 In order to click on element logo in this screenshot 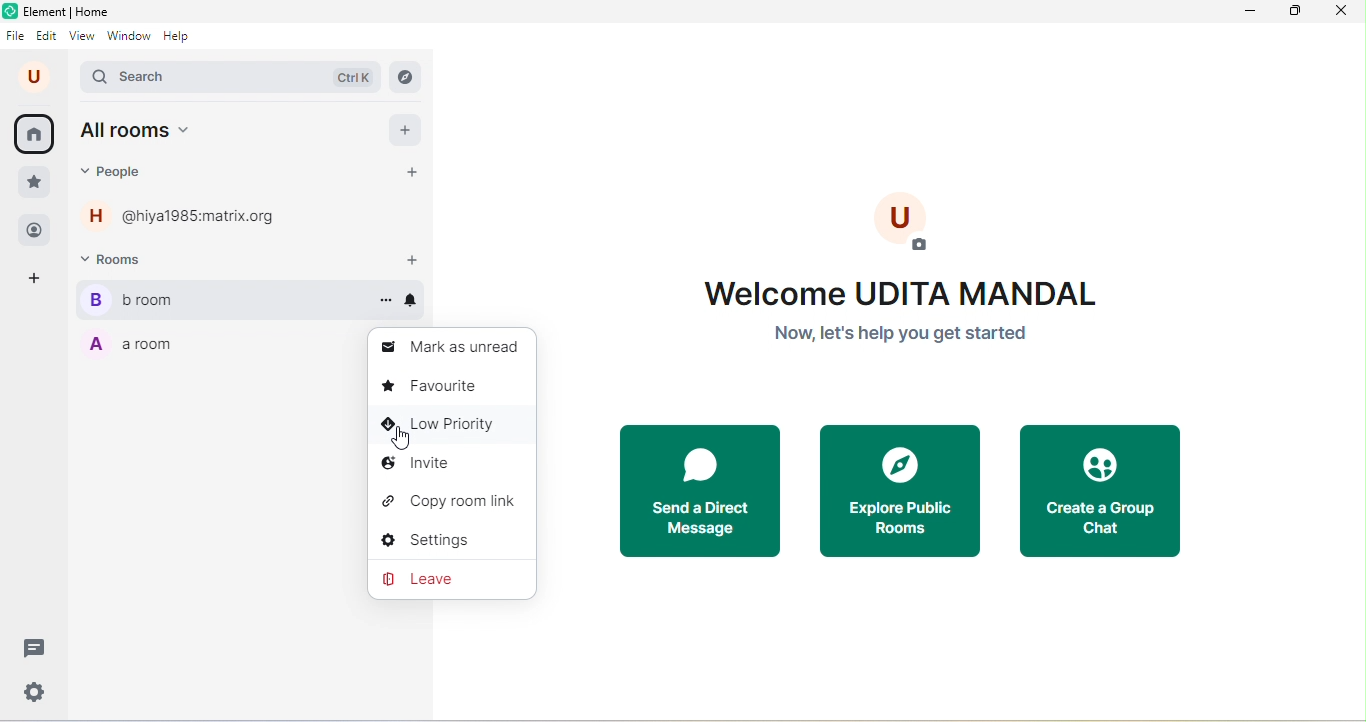, I will do `click(10, 12)`.